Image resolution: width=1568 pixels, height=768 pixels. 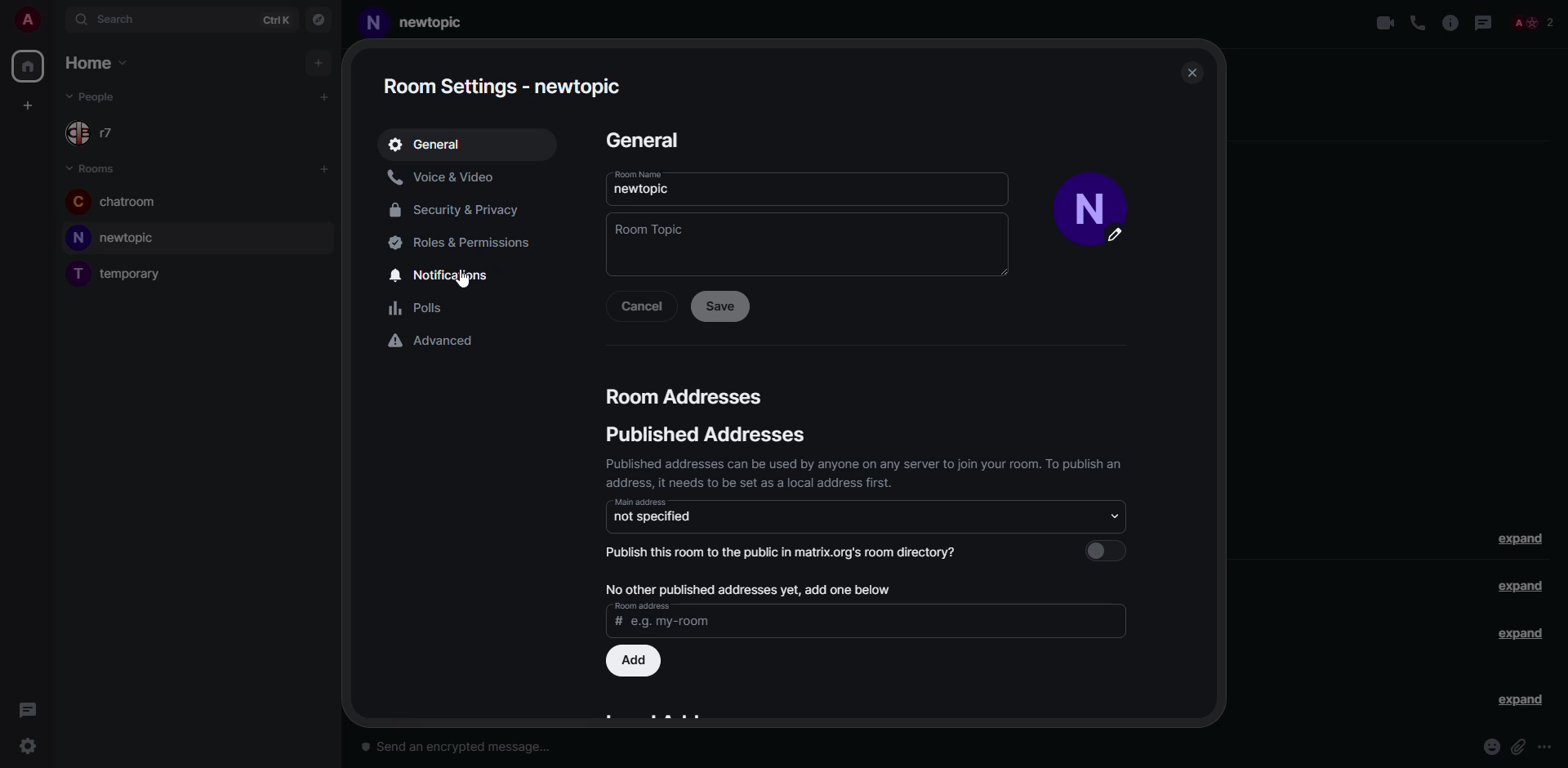 I want to click on Room address | # e.g. my-room, so click(x=661, y=616).